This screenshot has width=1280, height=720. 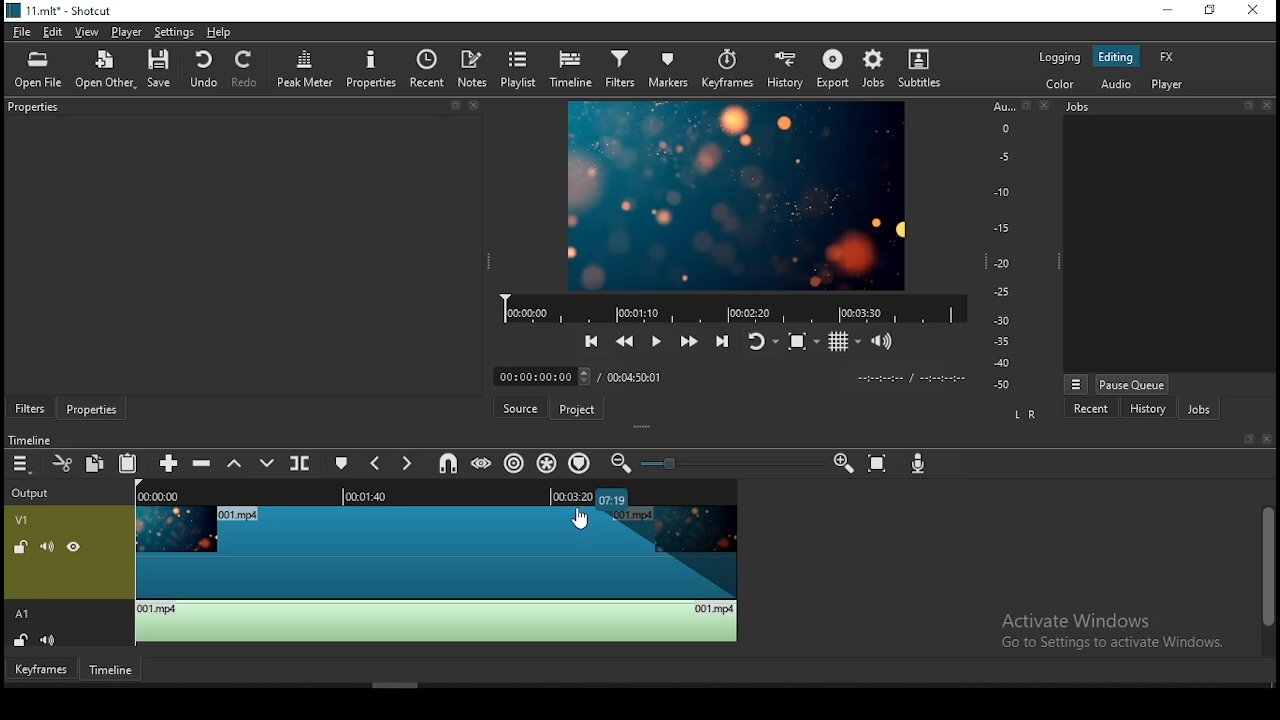 What do you see at coordinates (159, 66) in the screenshot?
I see `save` at bounding box center [159, 66].